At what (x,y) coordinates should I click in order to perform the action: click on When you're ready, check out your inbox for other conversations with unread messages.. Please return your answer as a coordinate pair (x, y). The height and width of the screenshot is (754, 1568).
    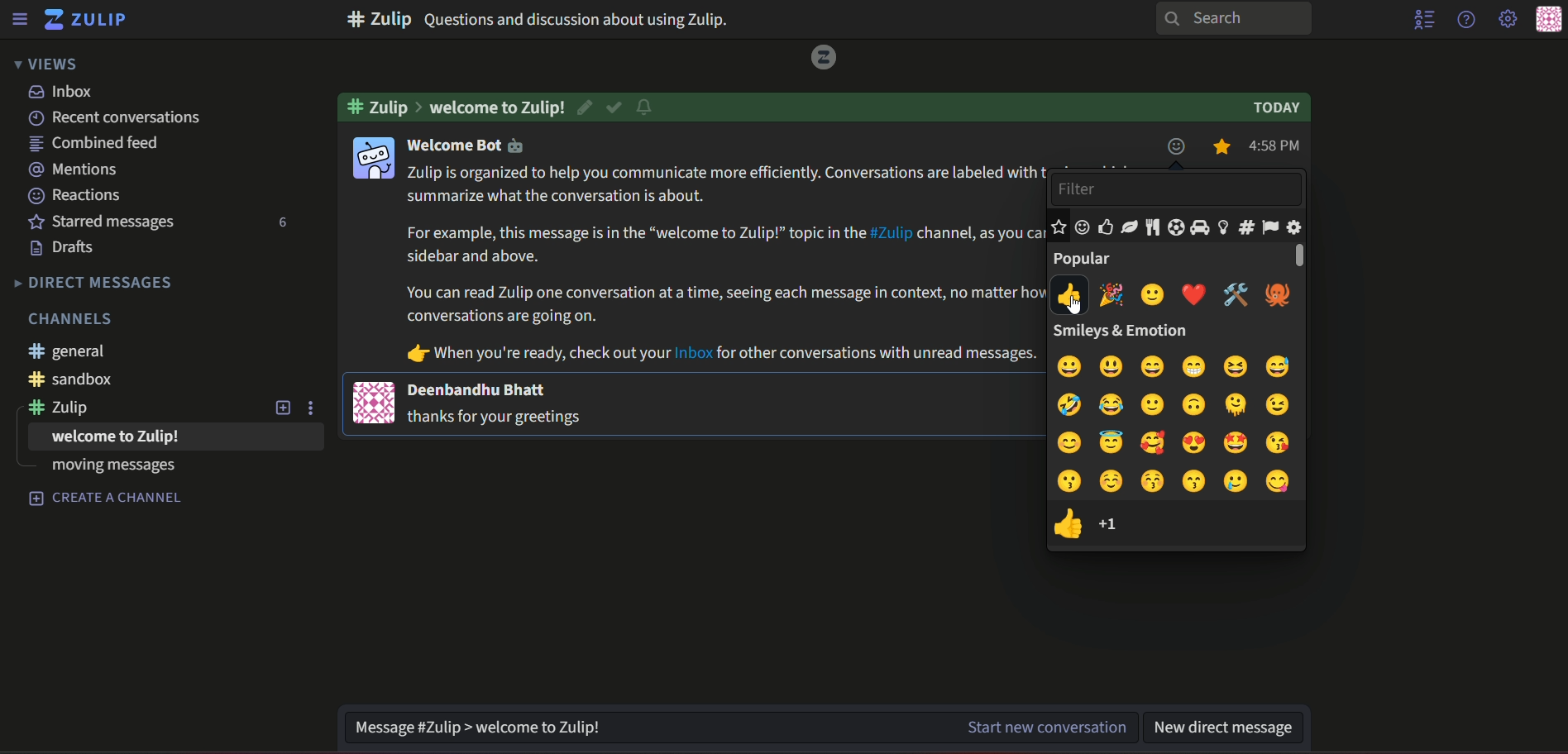
    Looking at the image, I should click on (715, 353).